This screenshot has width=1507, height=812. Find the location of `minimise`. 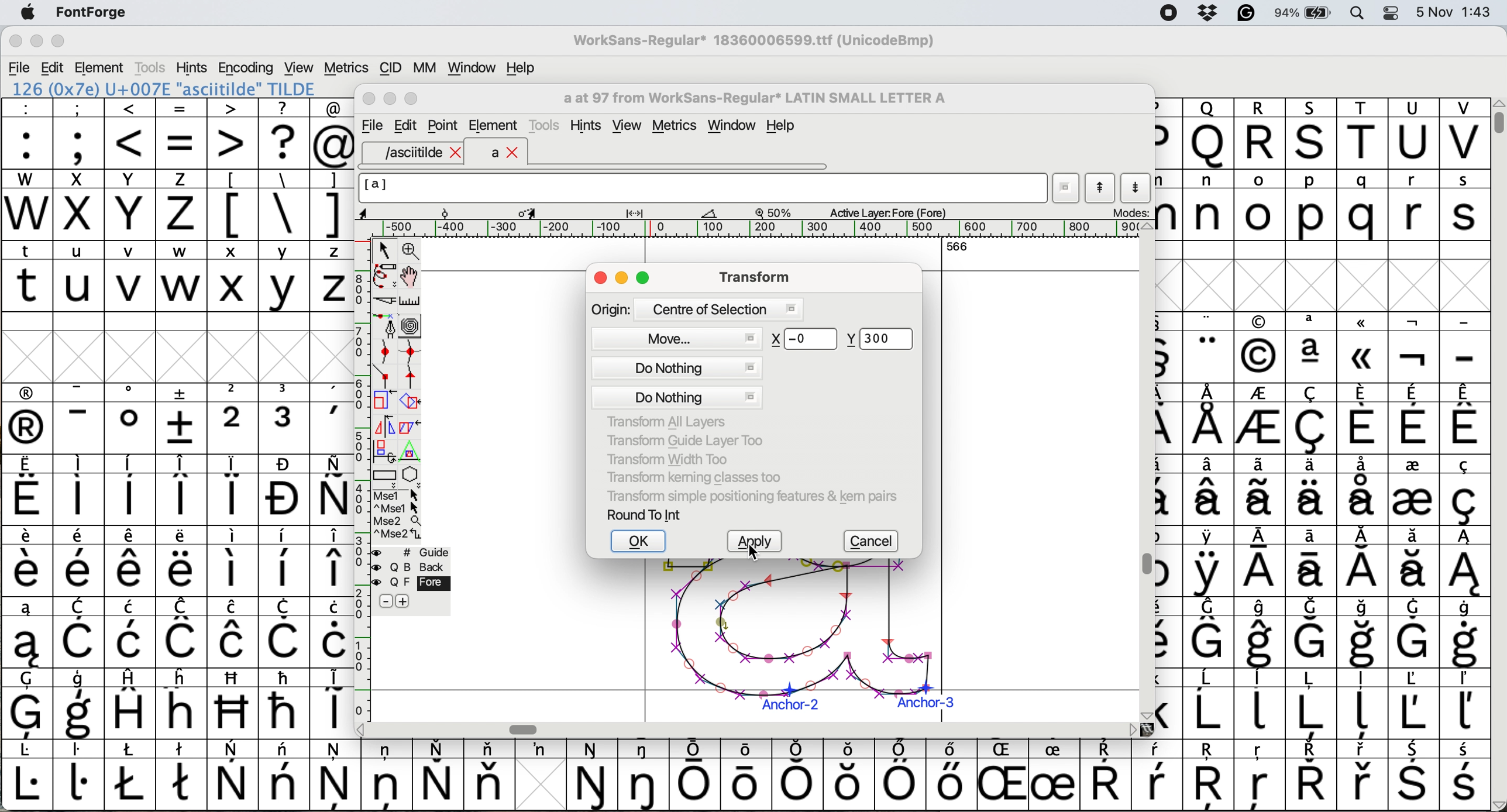

minimise is located at coordinates (35, 42).